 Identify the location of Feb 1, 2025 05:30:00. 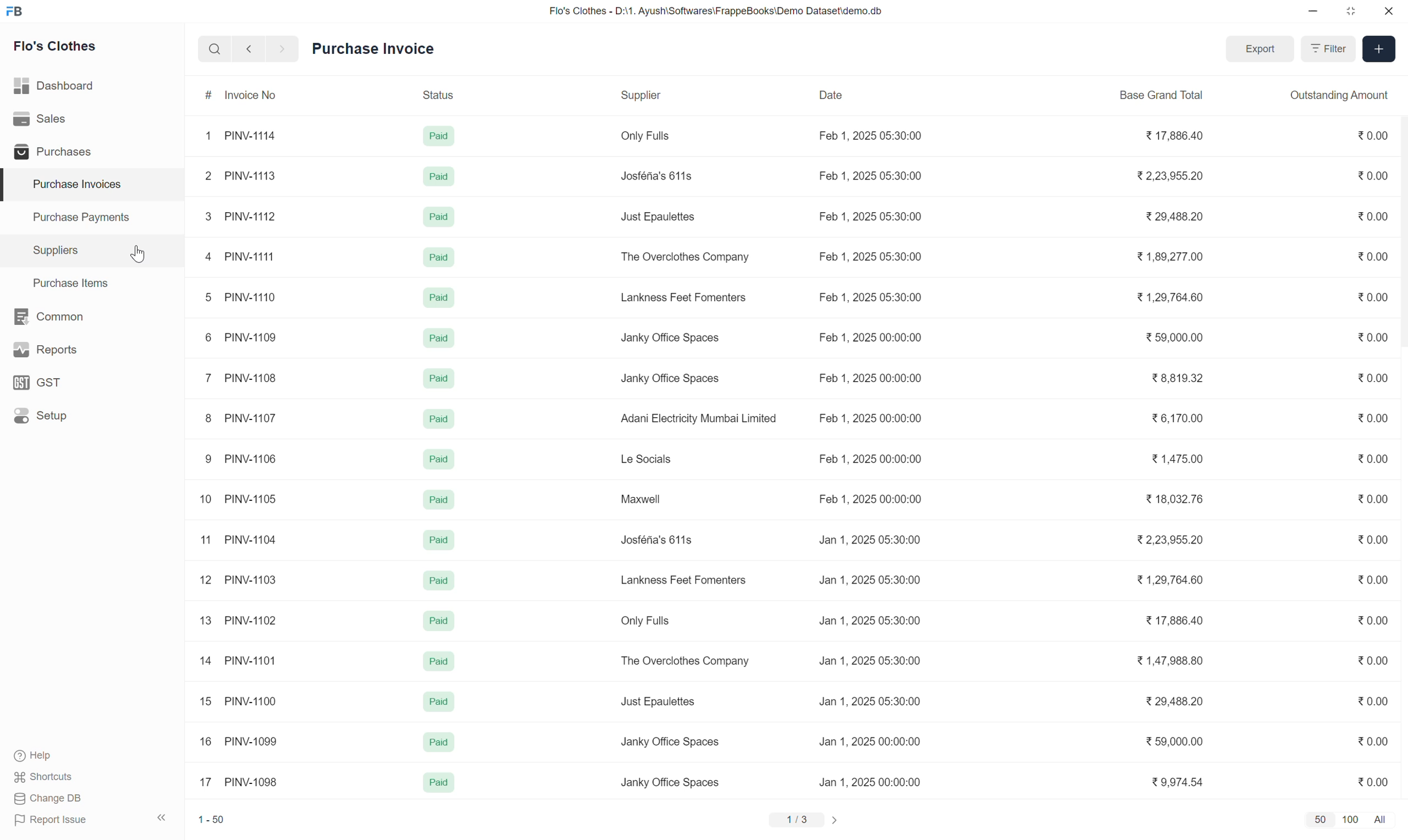
(876, 257).